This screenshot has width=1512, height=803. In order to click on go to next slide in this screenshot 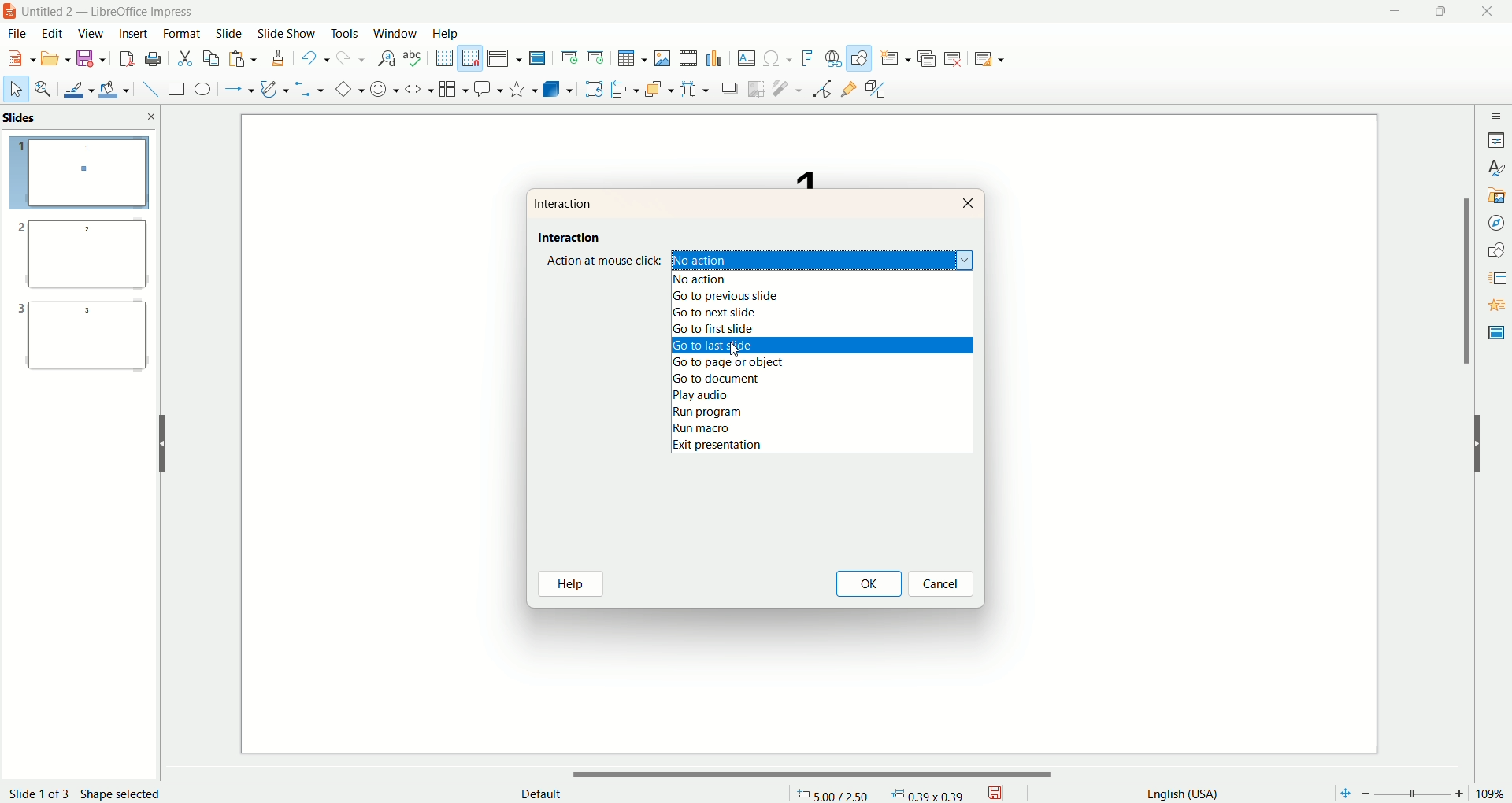, I will do `click(764, 311)`.